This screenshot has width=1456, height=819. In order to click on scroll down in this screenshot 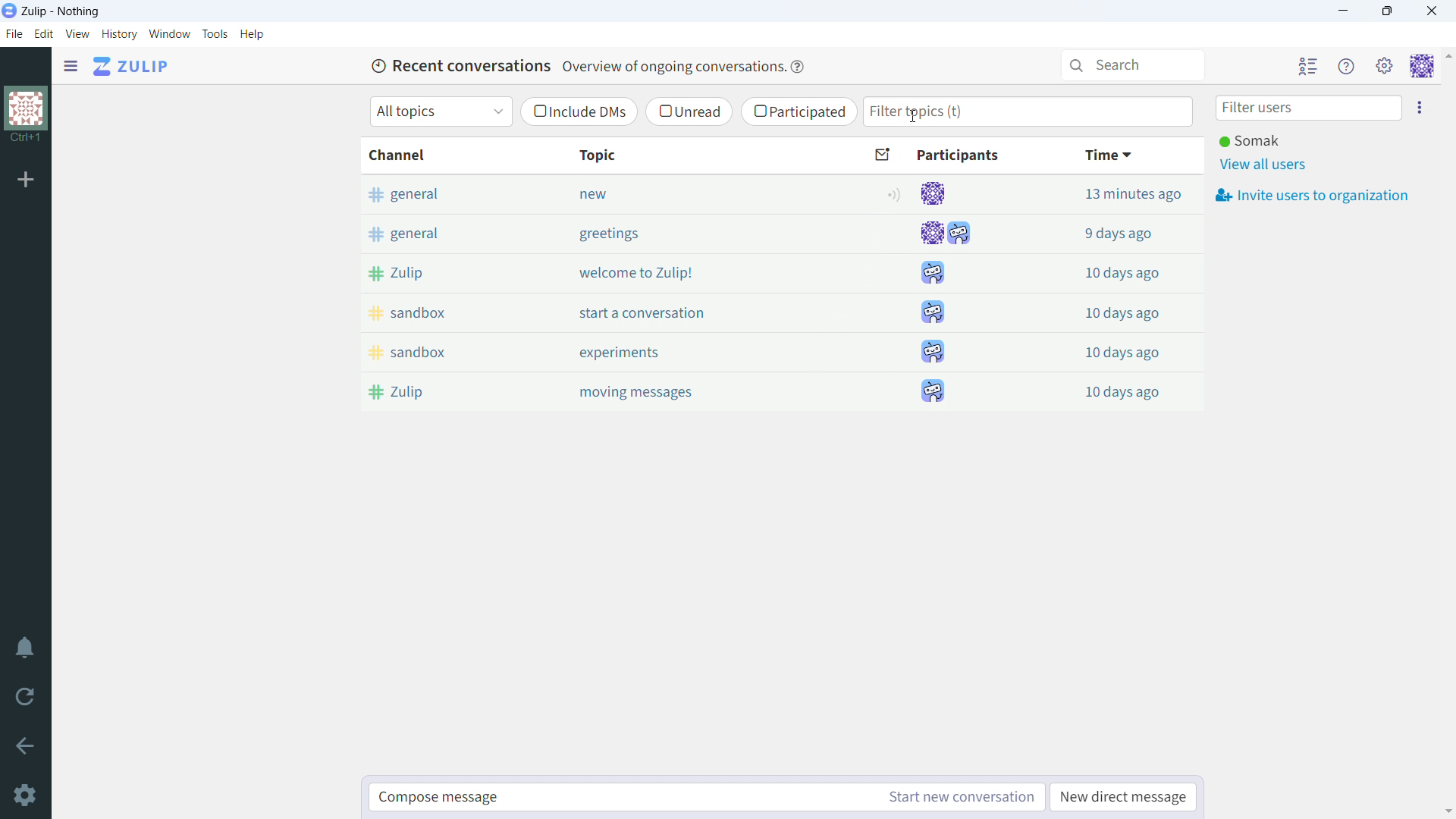, I will do `click(1447, 811)`.